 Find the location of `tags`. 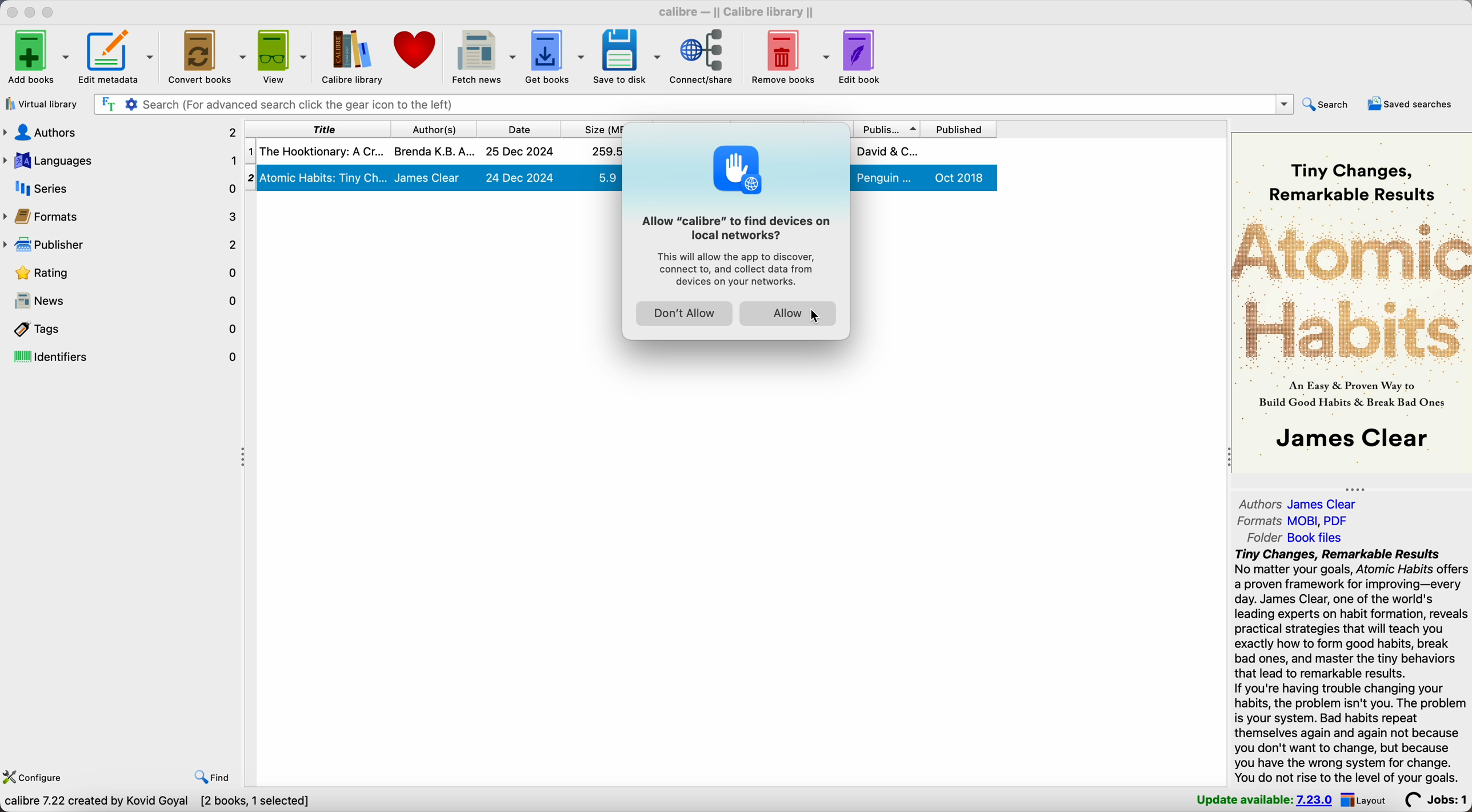

tags is located at coordinates (122, 329).